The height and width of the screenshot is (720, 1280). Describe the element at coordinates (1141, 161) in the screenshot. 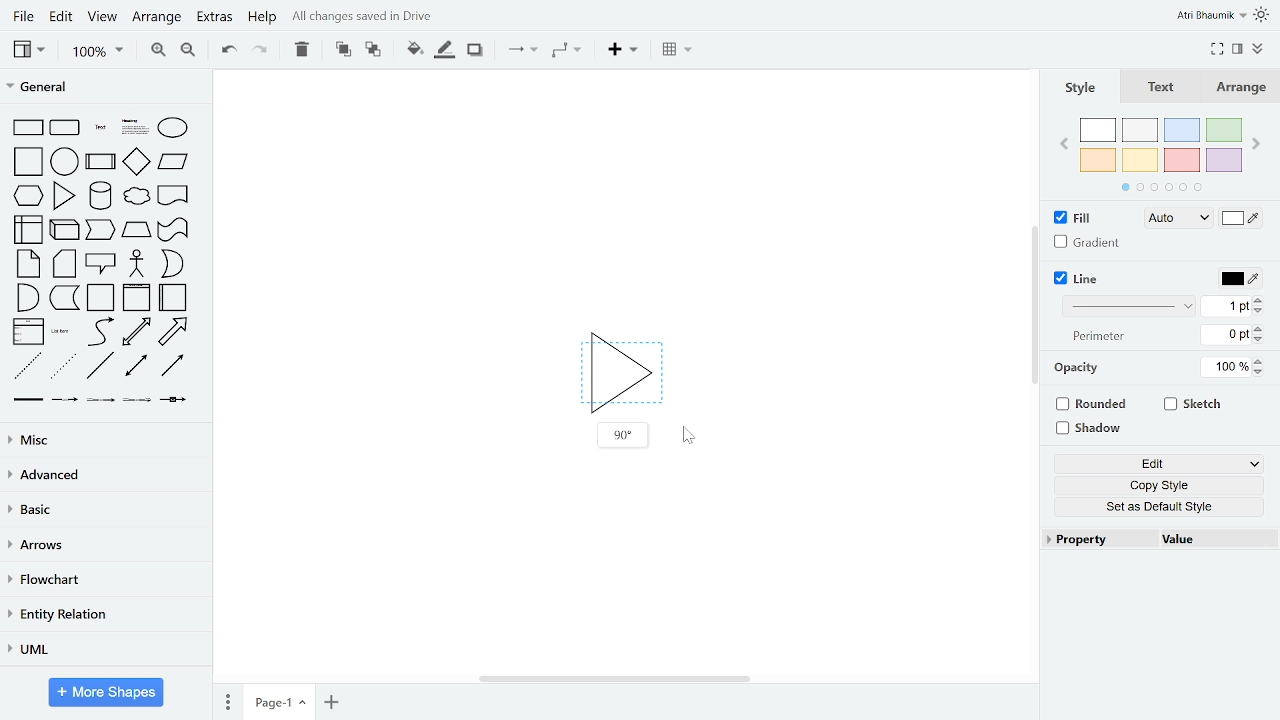

I see `yellow` at that location.